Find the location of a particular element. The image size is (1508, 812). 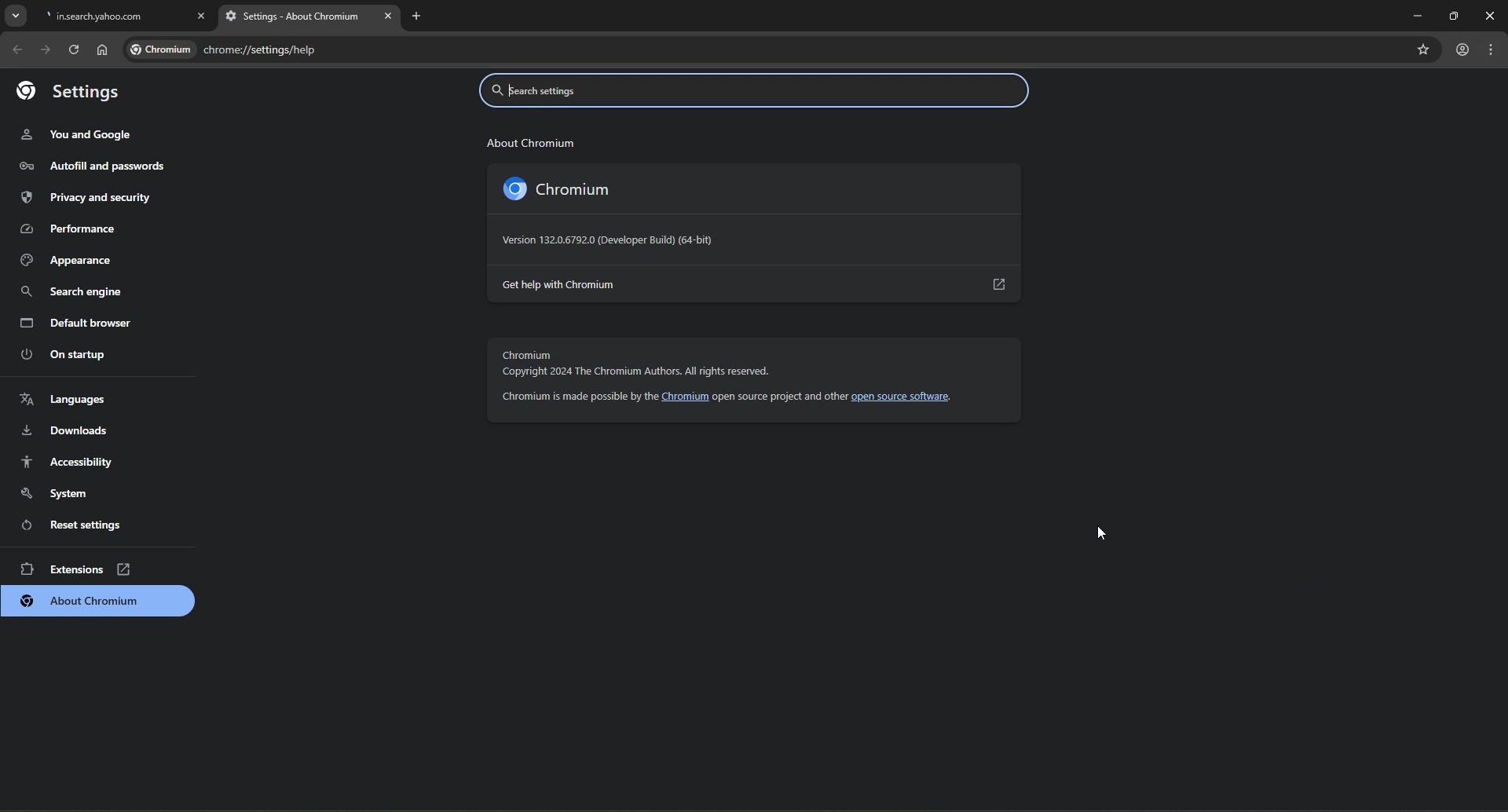

Search engine is located at coordinates (84, 290).